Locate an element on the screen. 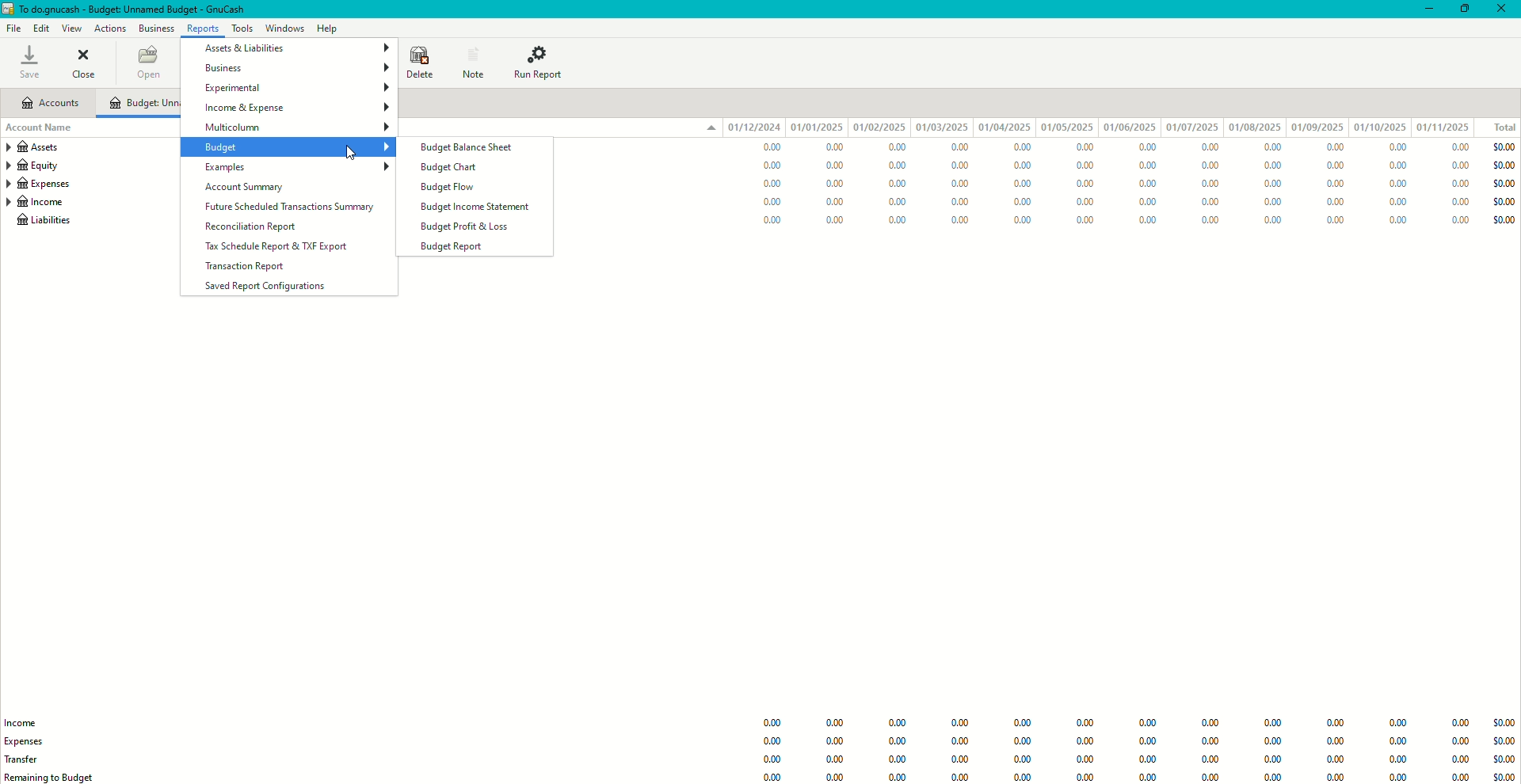  0.00 is located at coordinates (1018, 166).